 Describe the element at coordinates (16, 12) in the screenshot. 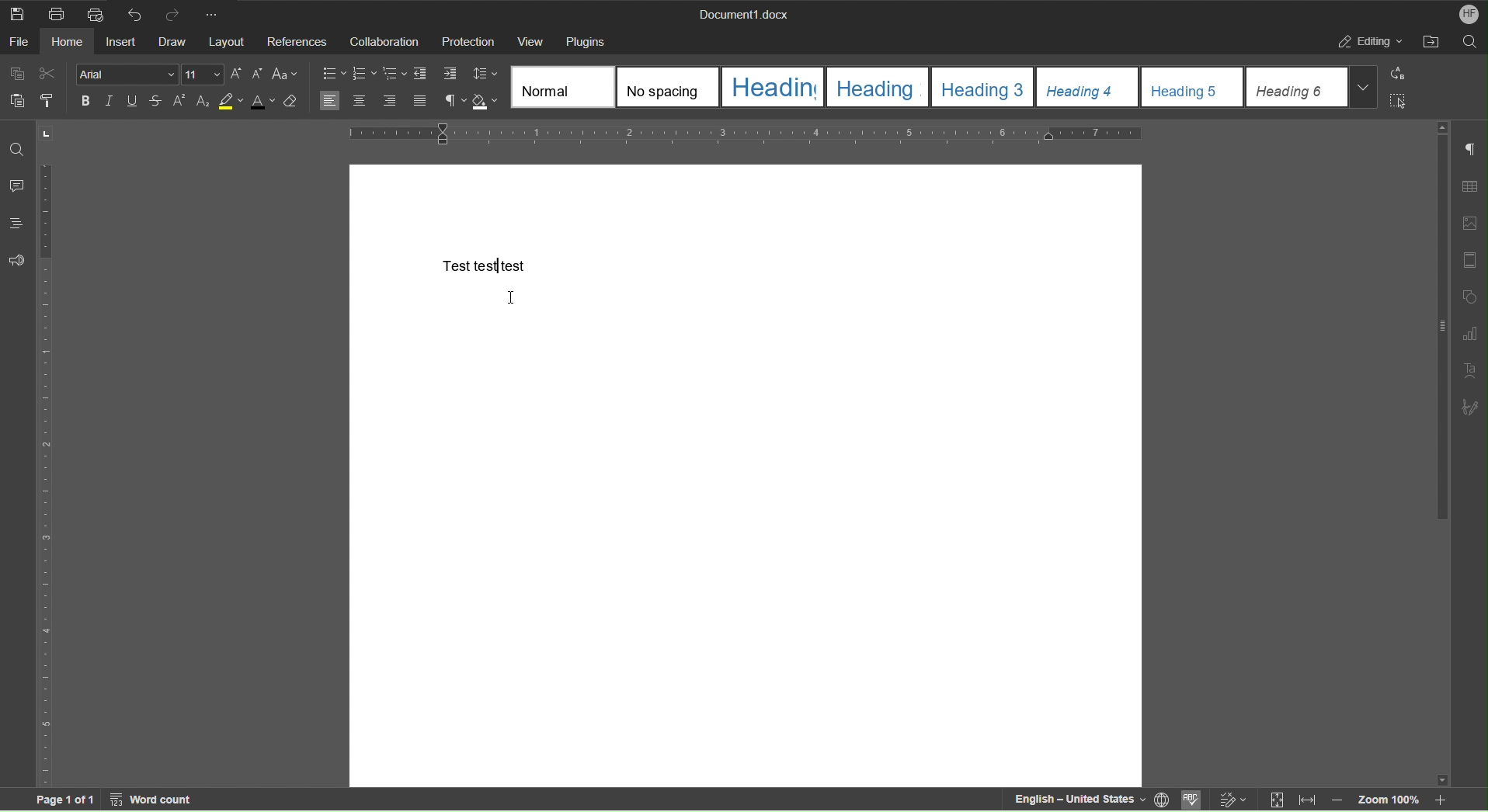

I see `Save` at that location.